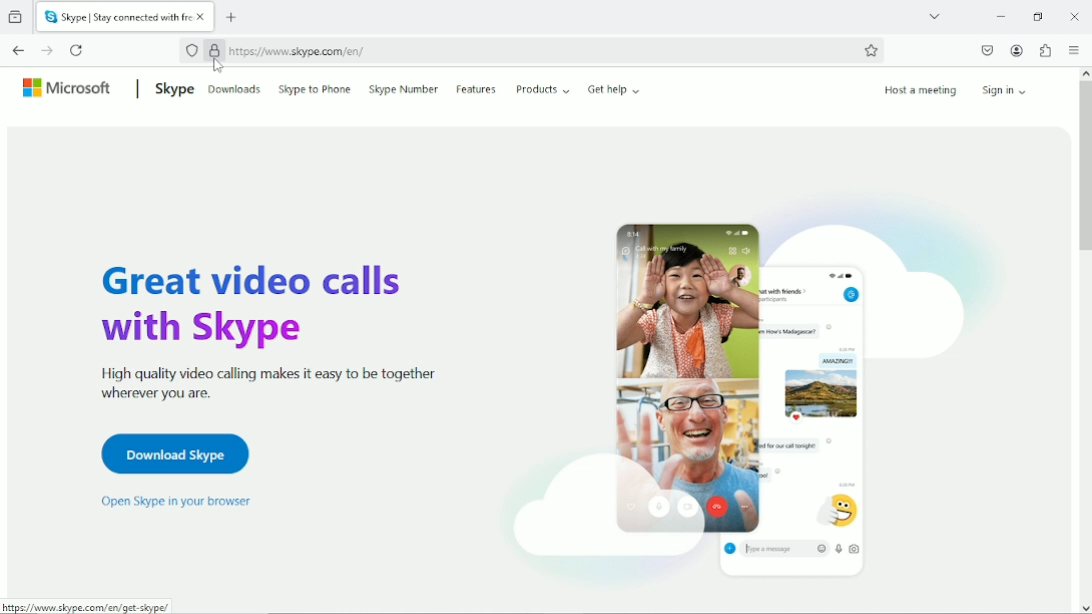  What do you see at coordinates (1008, 89) in the screenshot?
I see `Sign in` at bounding box center [1008, 89].